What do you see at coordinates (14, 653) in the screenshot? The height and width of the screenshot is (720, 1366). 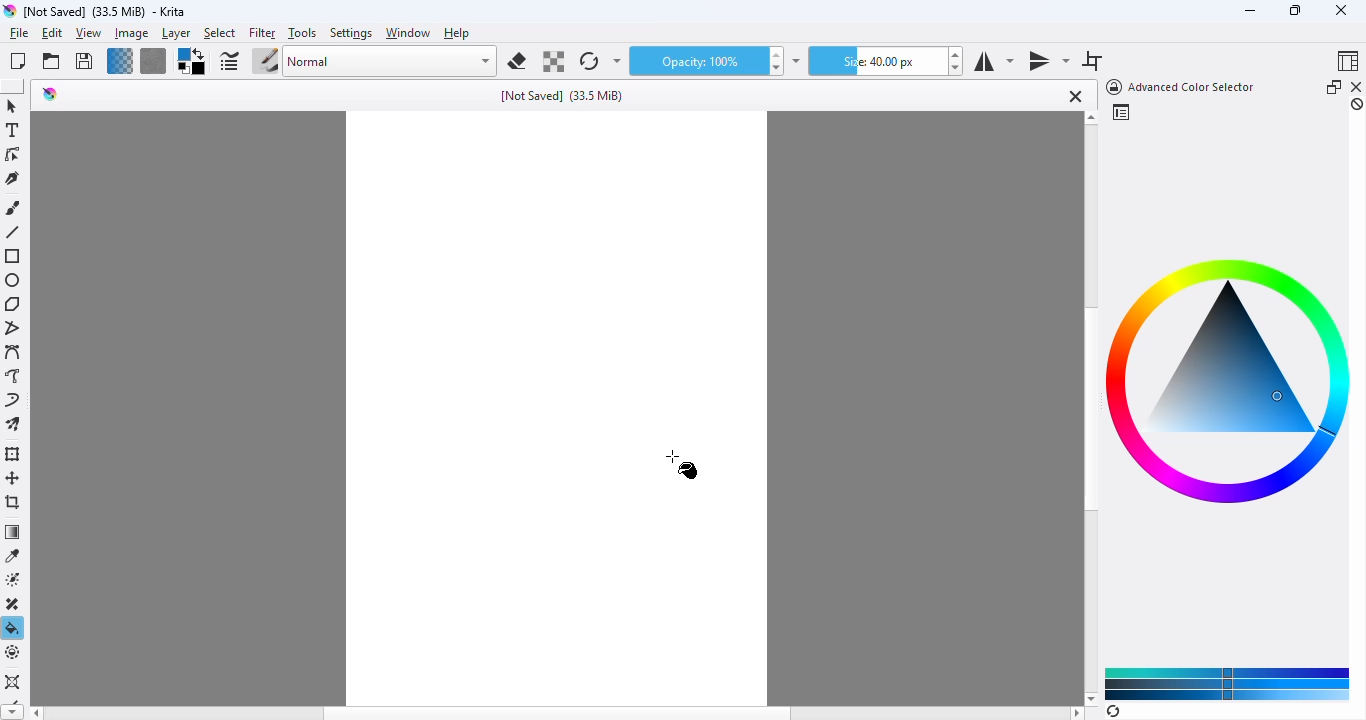 I see `enclose and fill tool` at bounding box center [14, 653].